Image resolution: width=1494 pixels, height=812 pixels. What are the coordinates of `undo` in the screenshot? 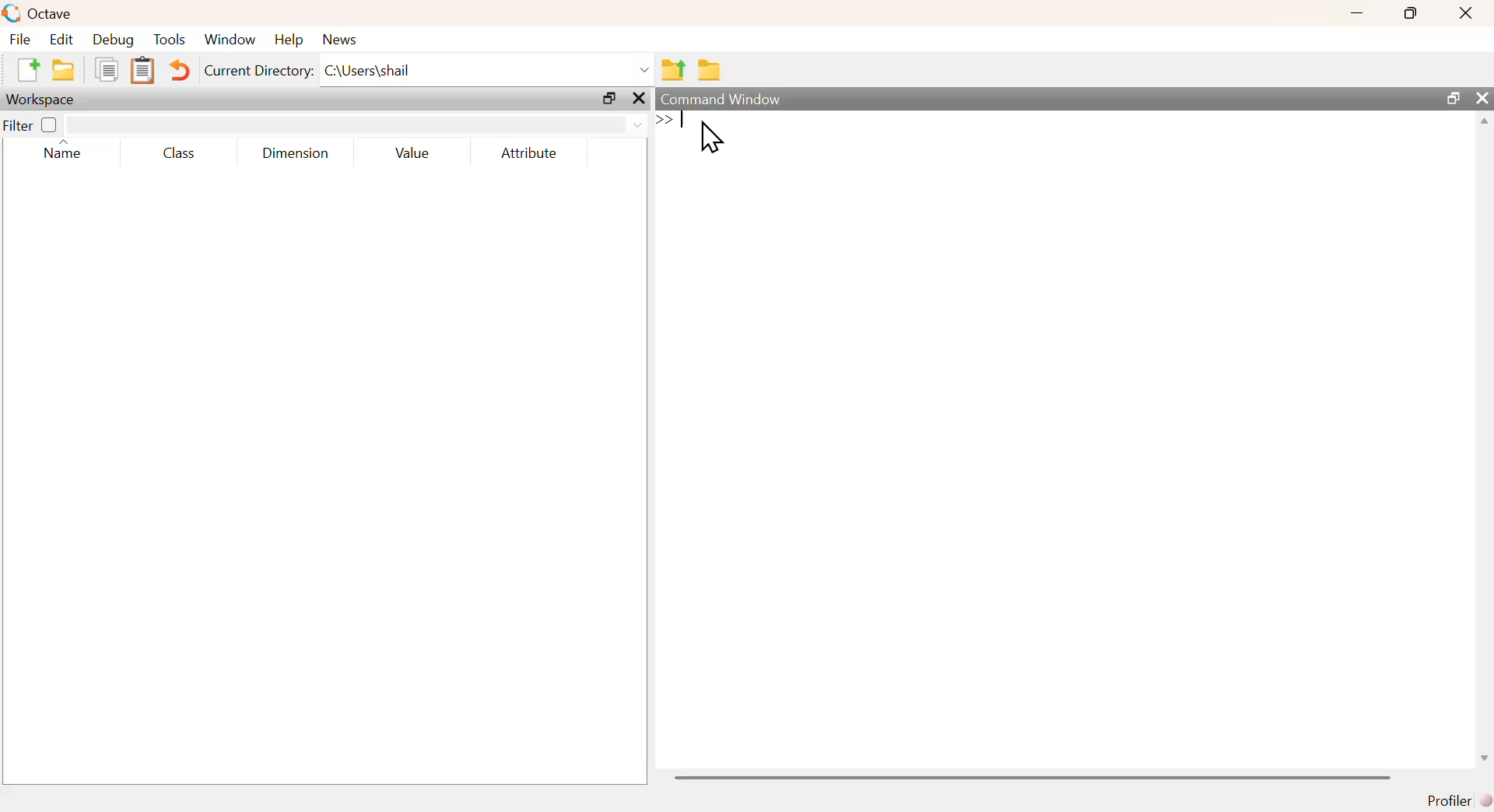 It's located at (181, 73).